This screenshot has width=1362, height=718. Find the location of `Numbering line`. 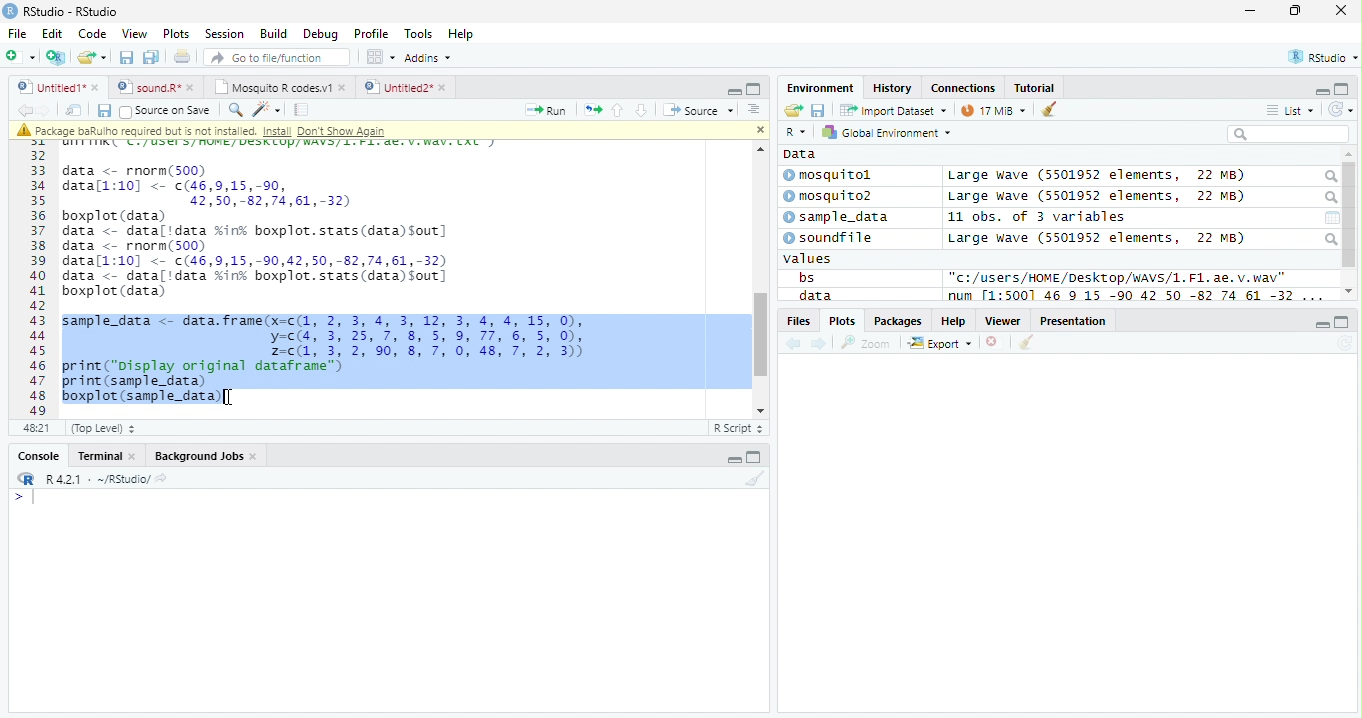

Numbering line is located at coordinates (37, 278).